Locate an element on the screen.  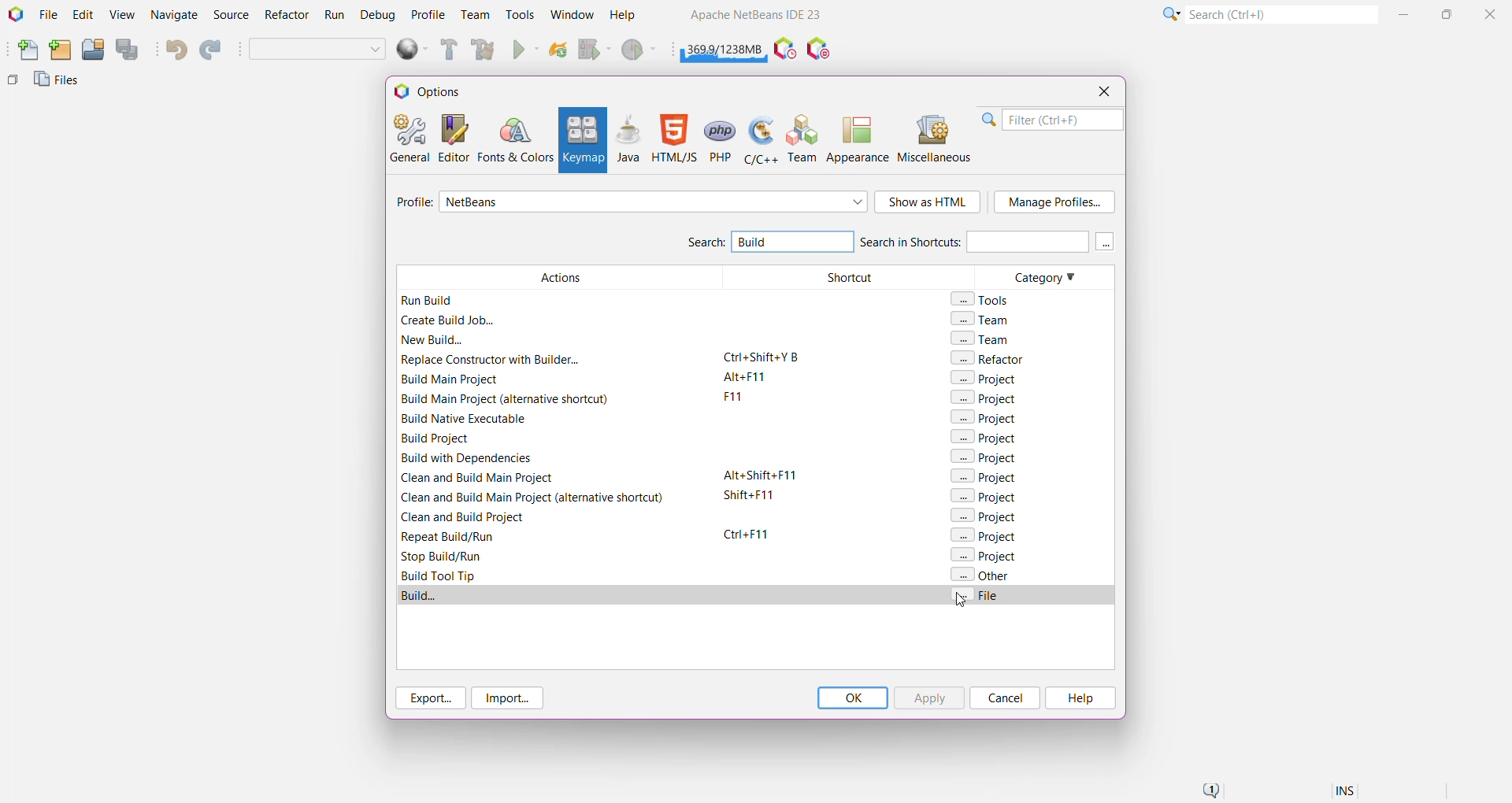
Profile Main project is located at coordinates (640, 51).